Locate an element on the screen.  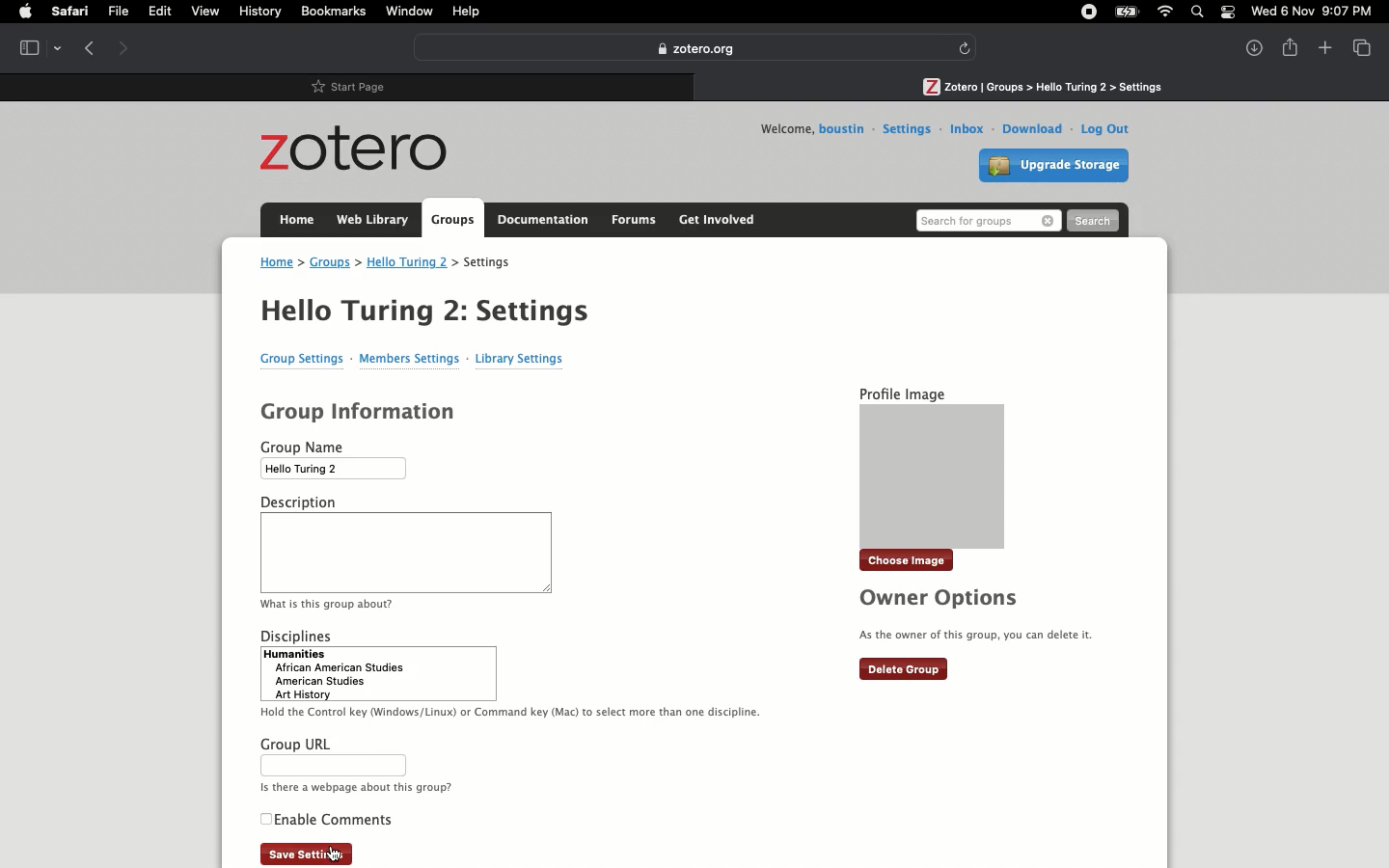
Internet is located at coordinates (1163, 13).